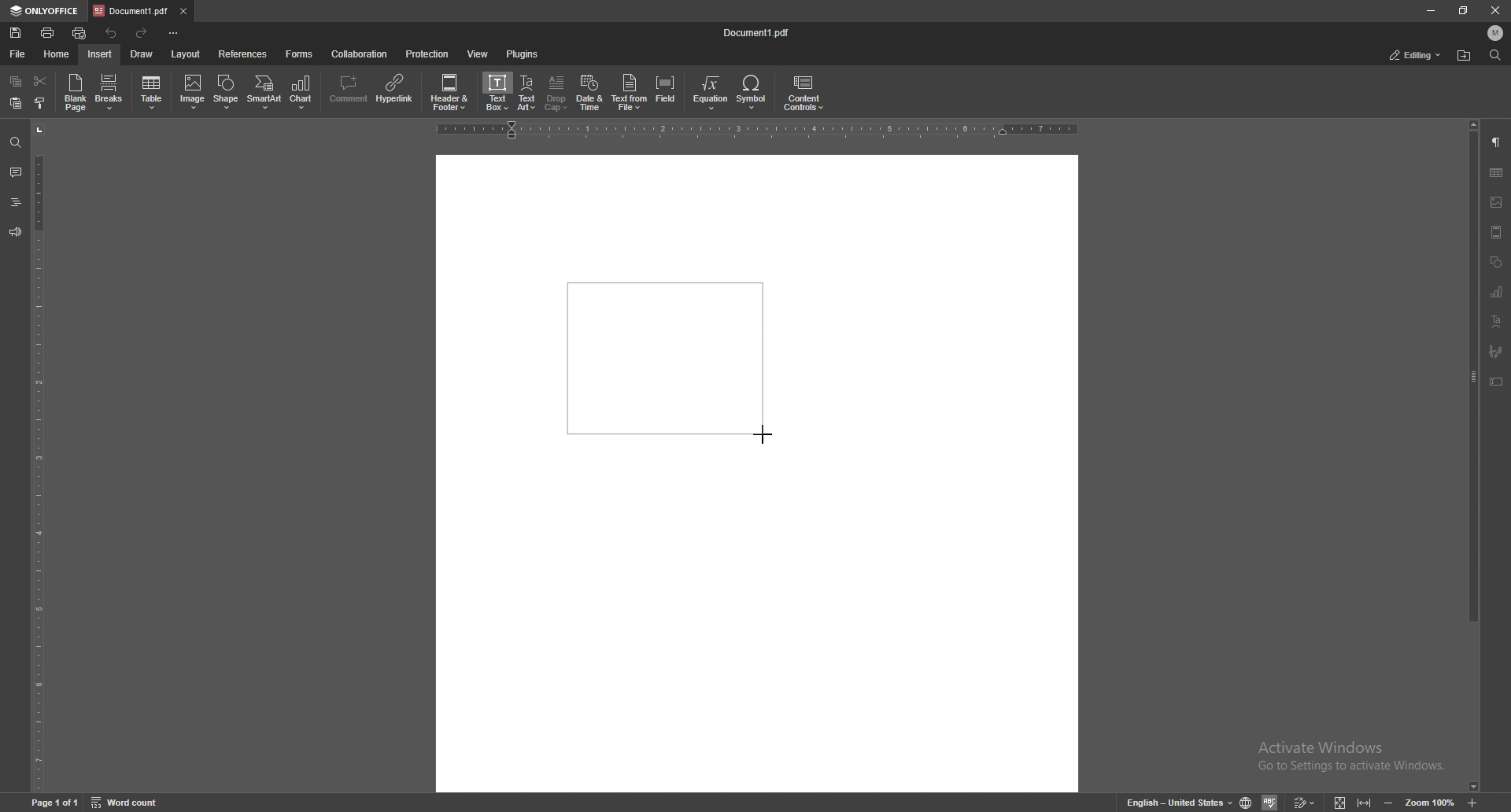 This screenshot has height=812, width=1511. I want to click on paragraph, so click(1498, 142).